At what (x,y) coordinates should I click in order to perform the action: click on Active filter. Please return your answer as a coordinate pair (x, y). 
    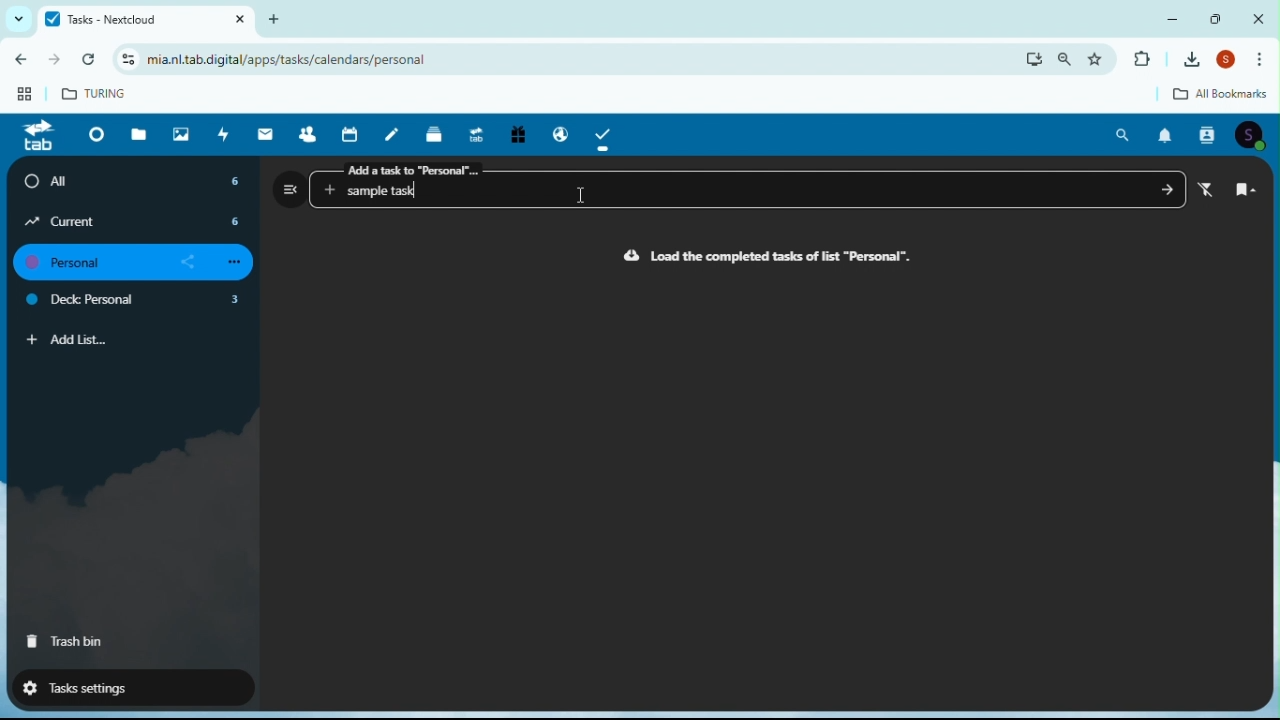
    Looking at the image, I should click on (1211, 190).